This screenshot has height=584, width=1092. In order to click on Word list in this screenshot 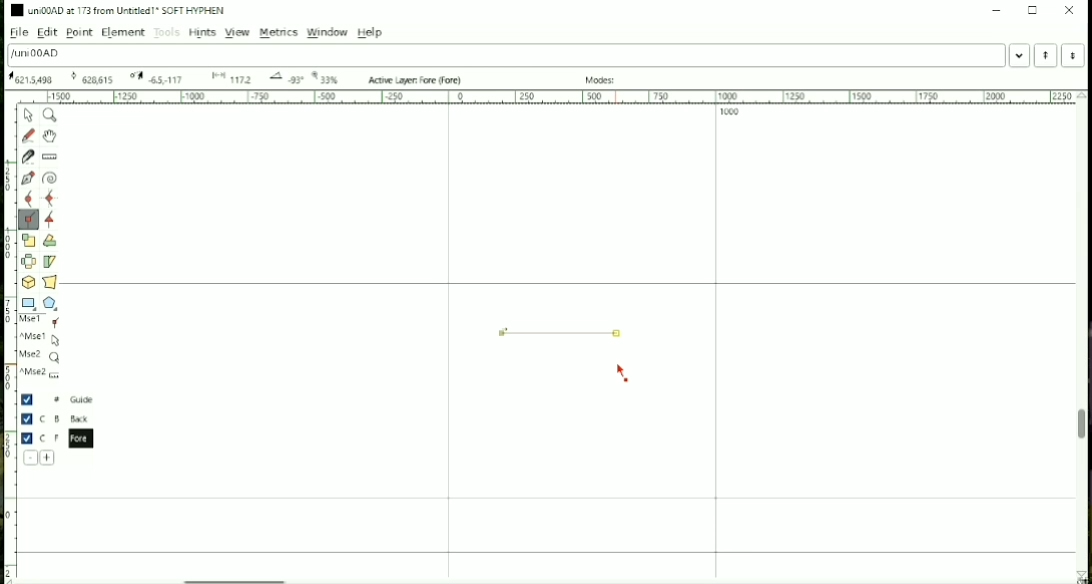, I will do `click(1020, 55)`.